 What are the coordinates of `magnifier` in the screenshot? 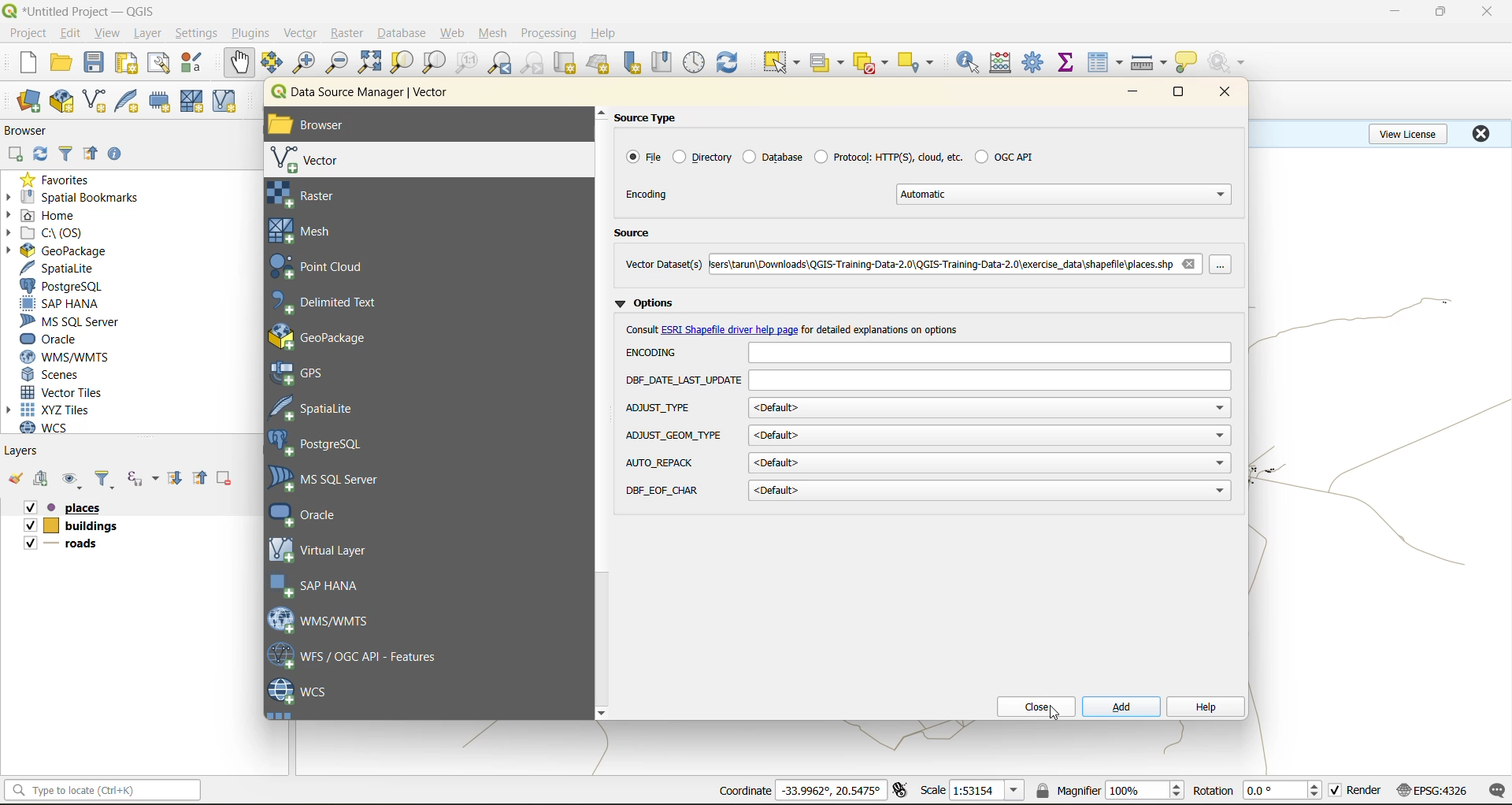 It's located at (1144, 790).